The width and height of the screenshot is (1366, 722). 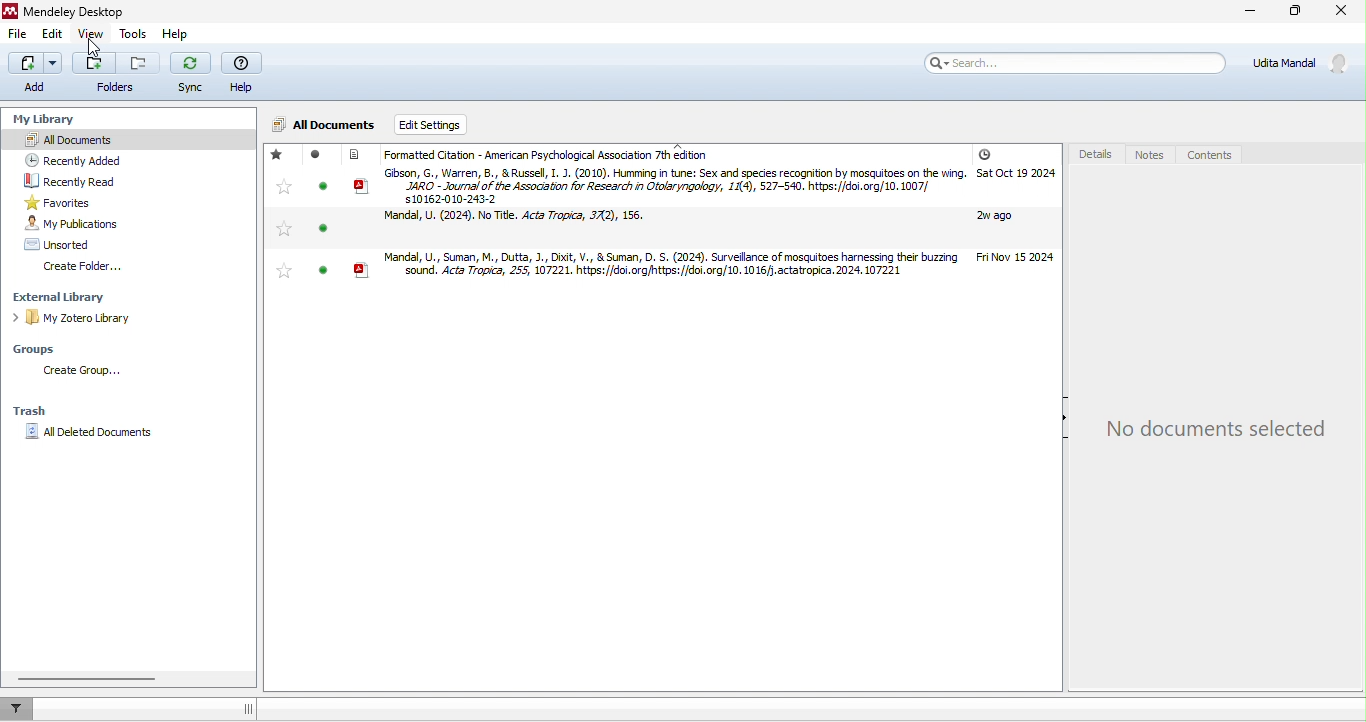 I want to click on favourites, so click(x=86, y=202).